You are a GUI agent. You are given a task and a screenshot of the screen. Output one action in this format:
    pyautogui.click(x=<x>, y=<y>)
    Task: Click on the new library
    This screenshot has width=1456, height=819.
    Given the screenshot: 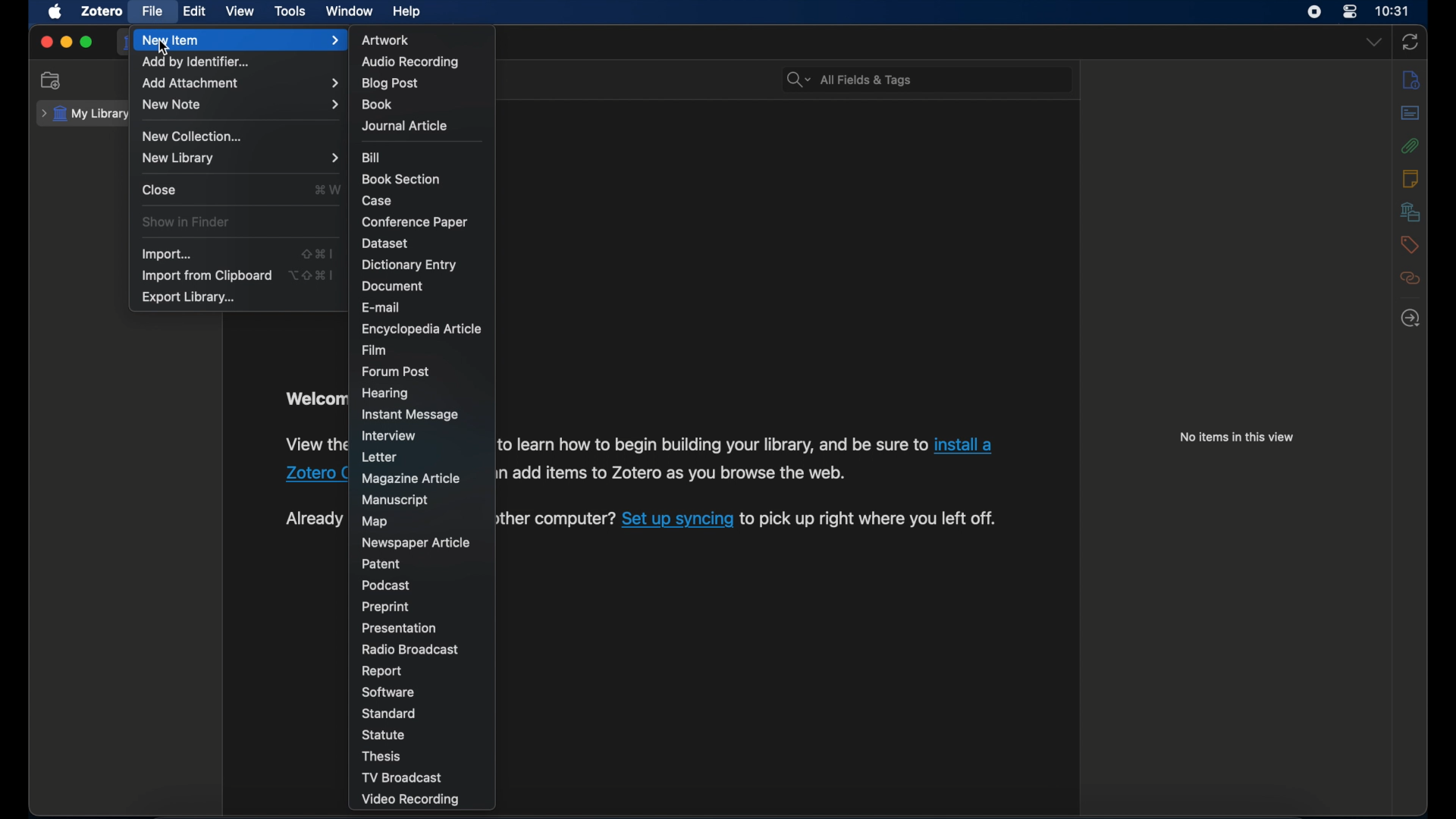 What is the action you would take?
    pyautogui.click(x=243, y=158)
    